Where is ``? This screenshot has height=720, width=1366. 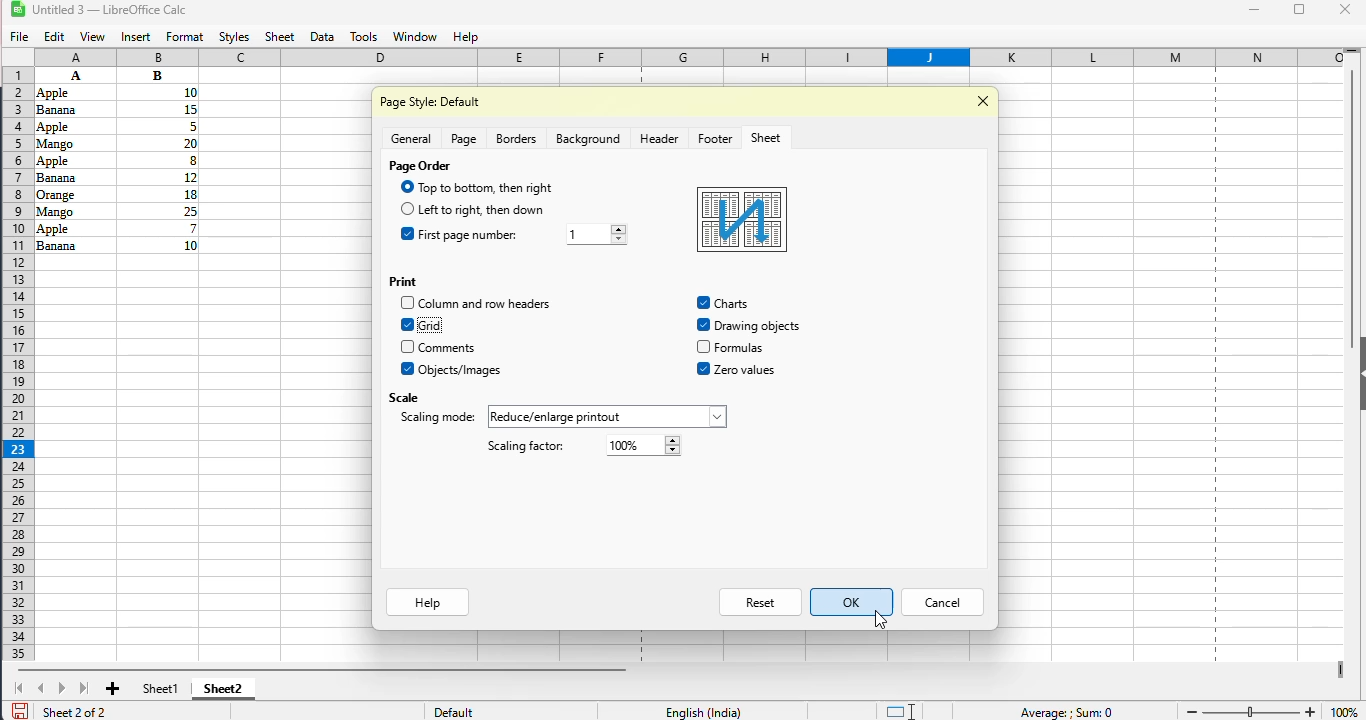
 is located at coordinates (74, 245).